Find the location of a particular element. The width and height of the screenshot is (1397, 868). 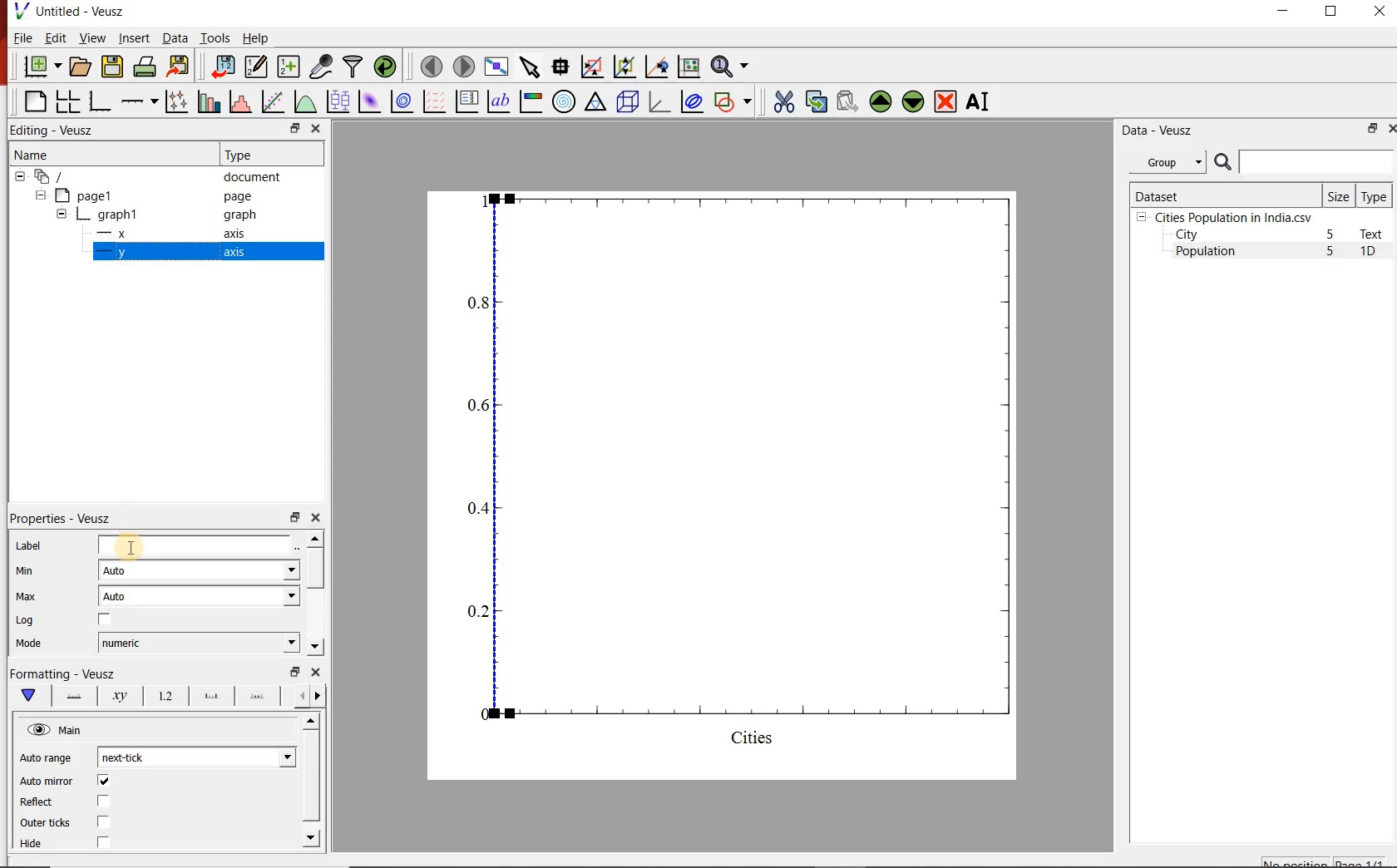

view plot full screen is located at coordinates (496, 67).